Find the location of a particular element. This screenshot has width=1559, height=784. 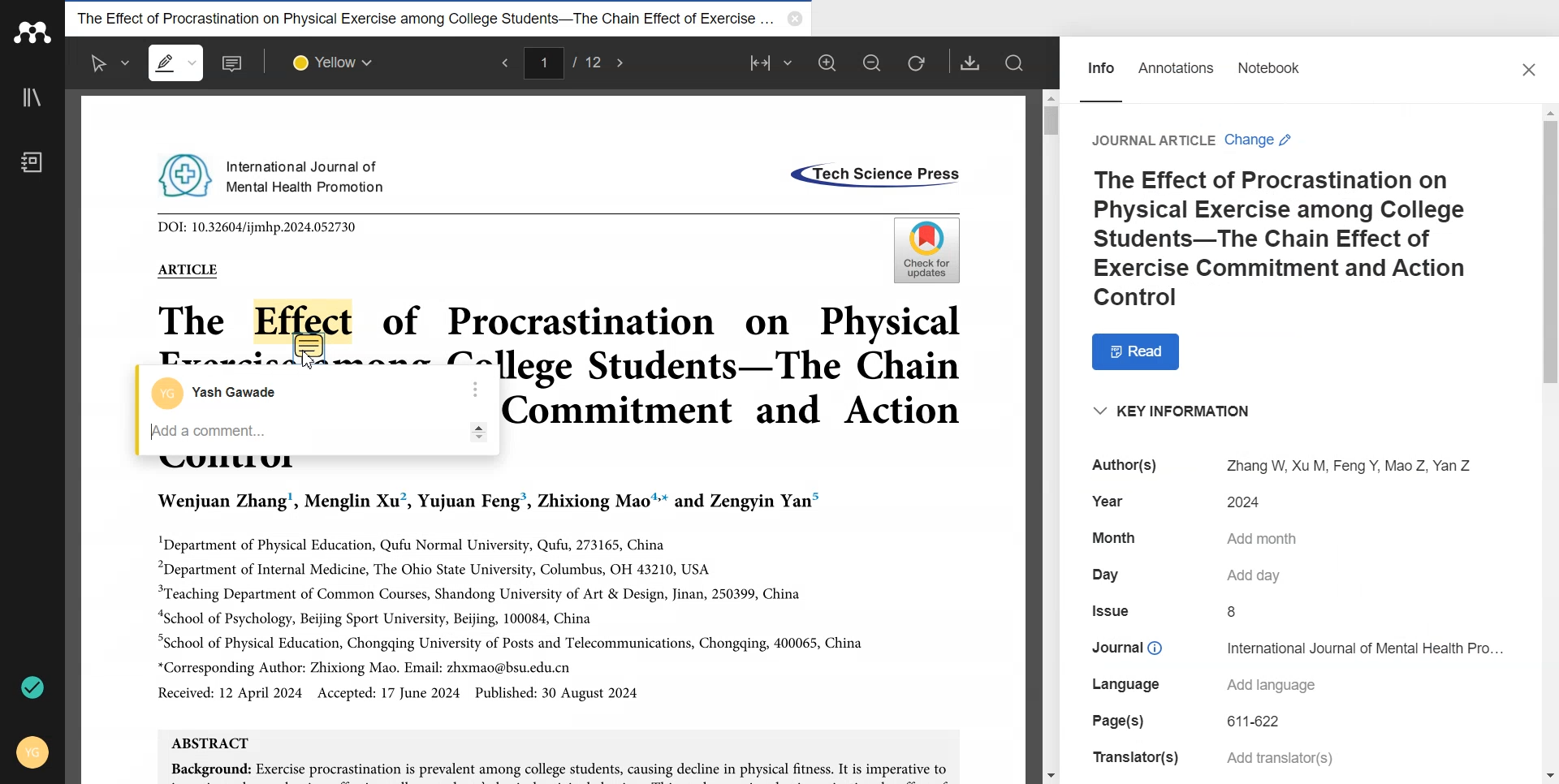

“KEY INFORMATION is located at coordinates (1174, 415).